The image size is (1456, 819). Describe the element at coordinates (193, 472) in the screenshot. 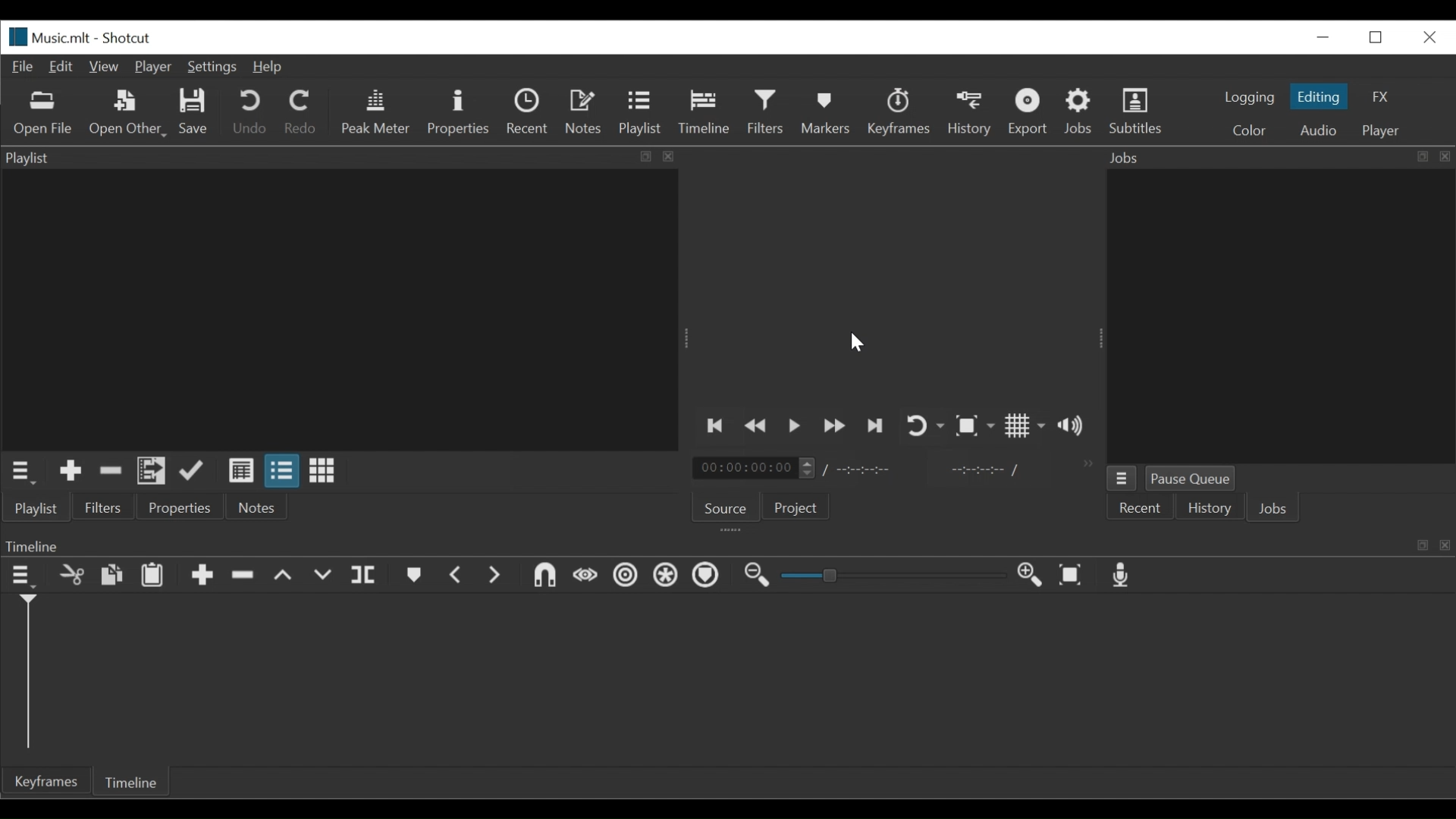

I see `Update` at that location.